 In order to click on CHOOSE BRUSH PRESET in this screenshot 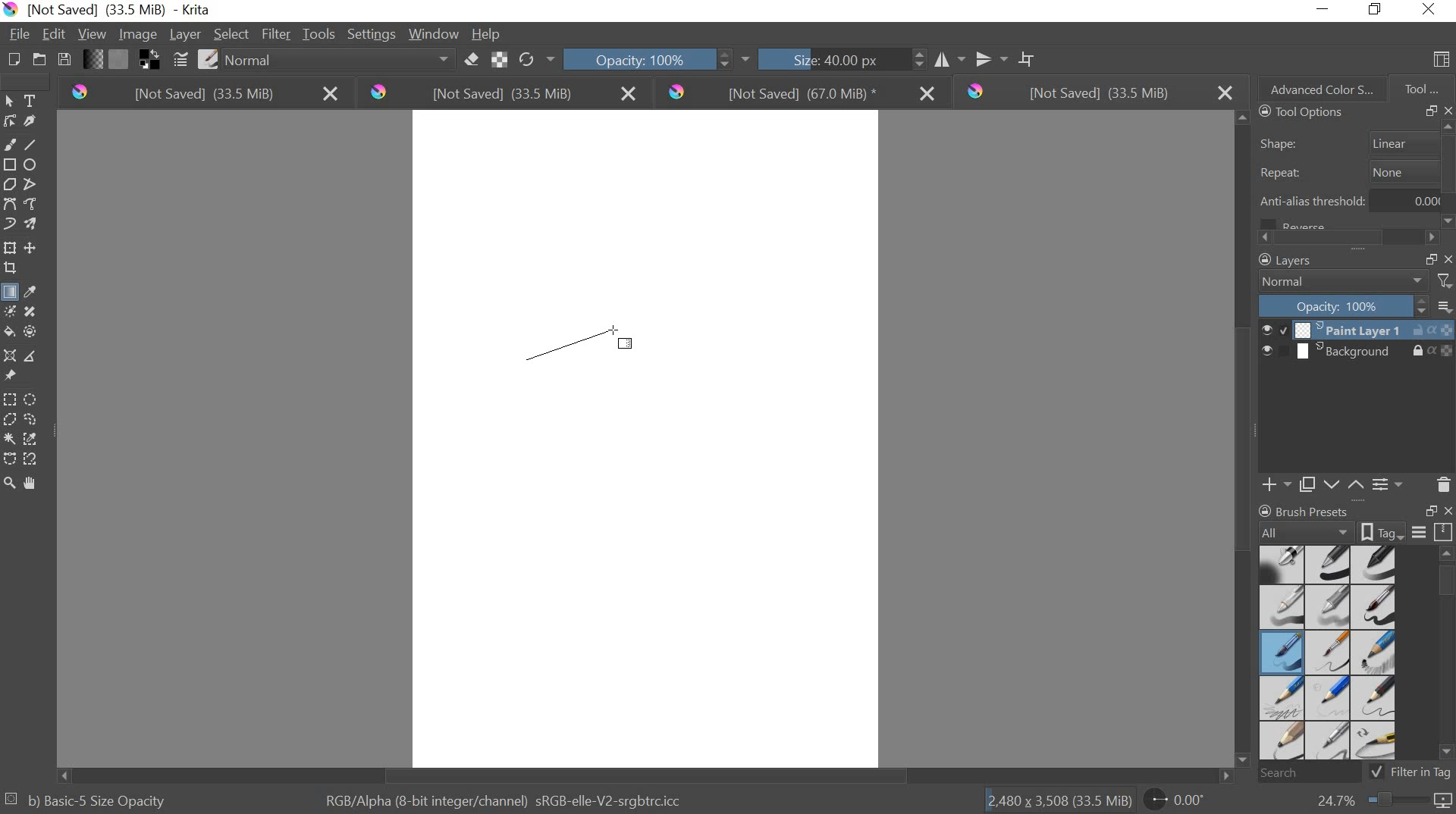, I will do `click(209, 61)`.